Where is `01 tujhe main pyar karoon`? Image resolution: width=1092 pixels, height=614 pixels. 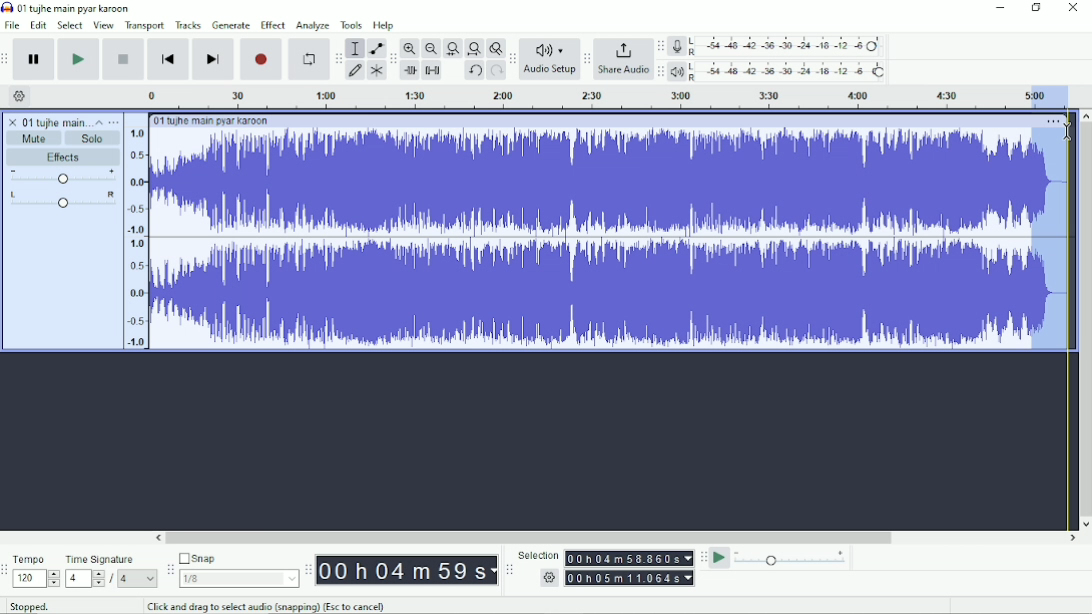
01 tujhe main pyar karoon is located at coordinates (76, 8).